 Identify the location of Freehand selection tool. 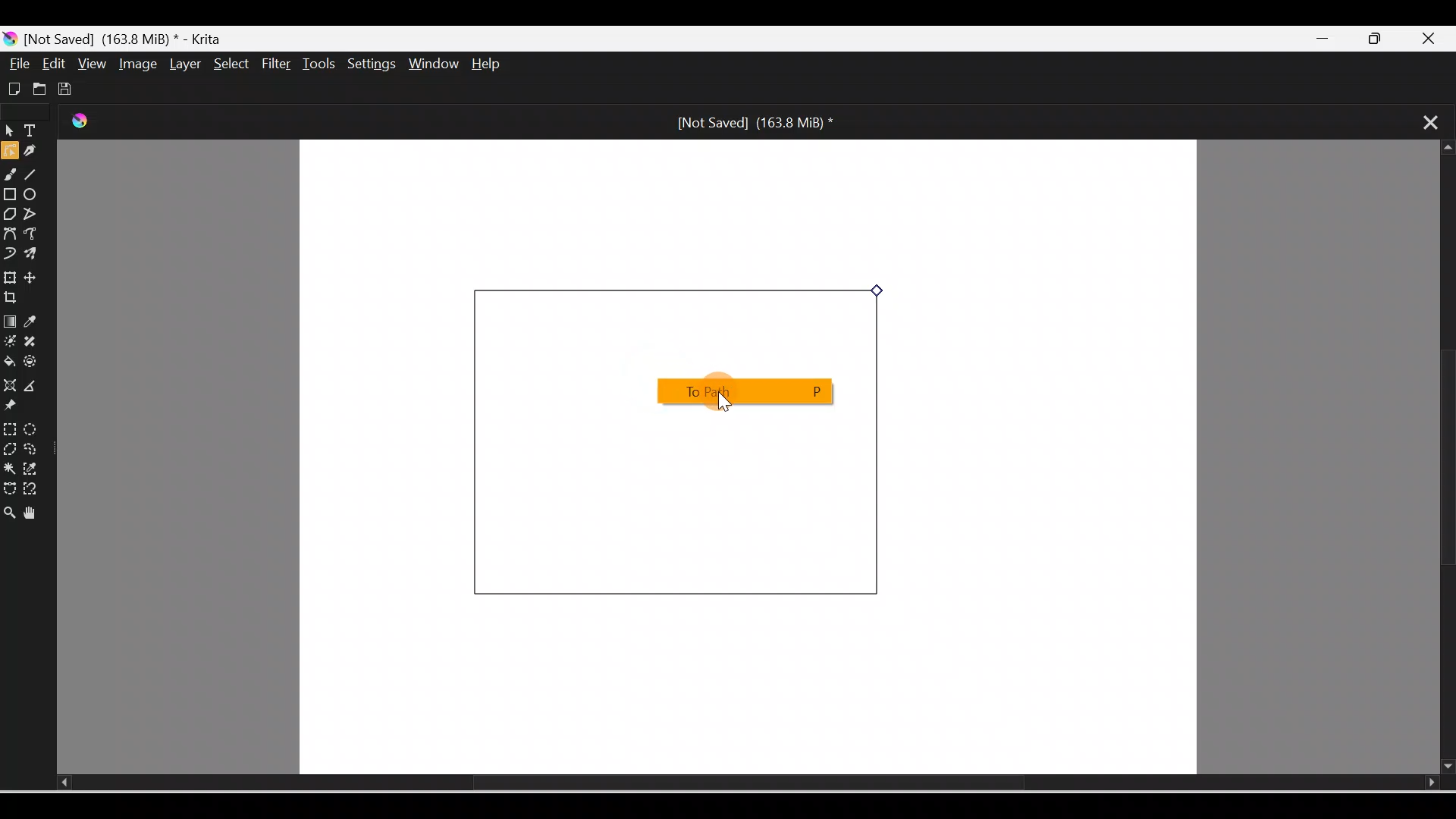
(35, 449).